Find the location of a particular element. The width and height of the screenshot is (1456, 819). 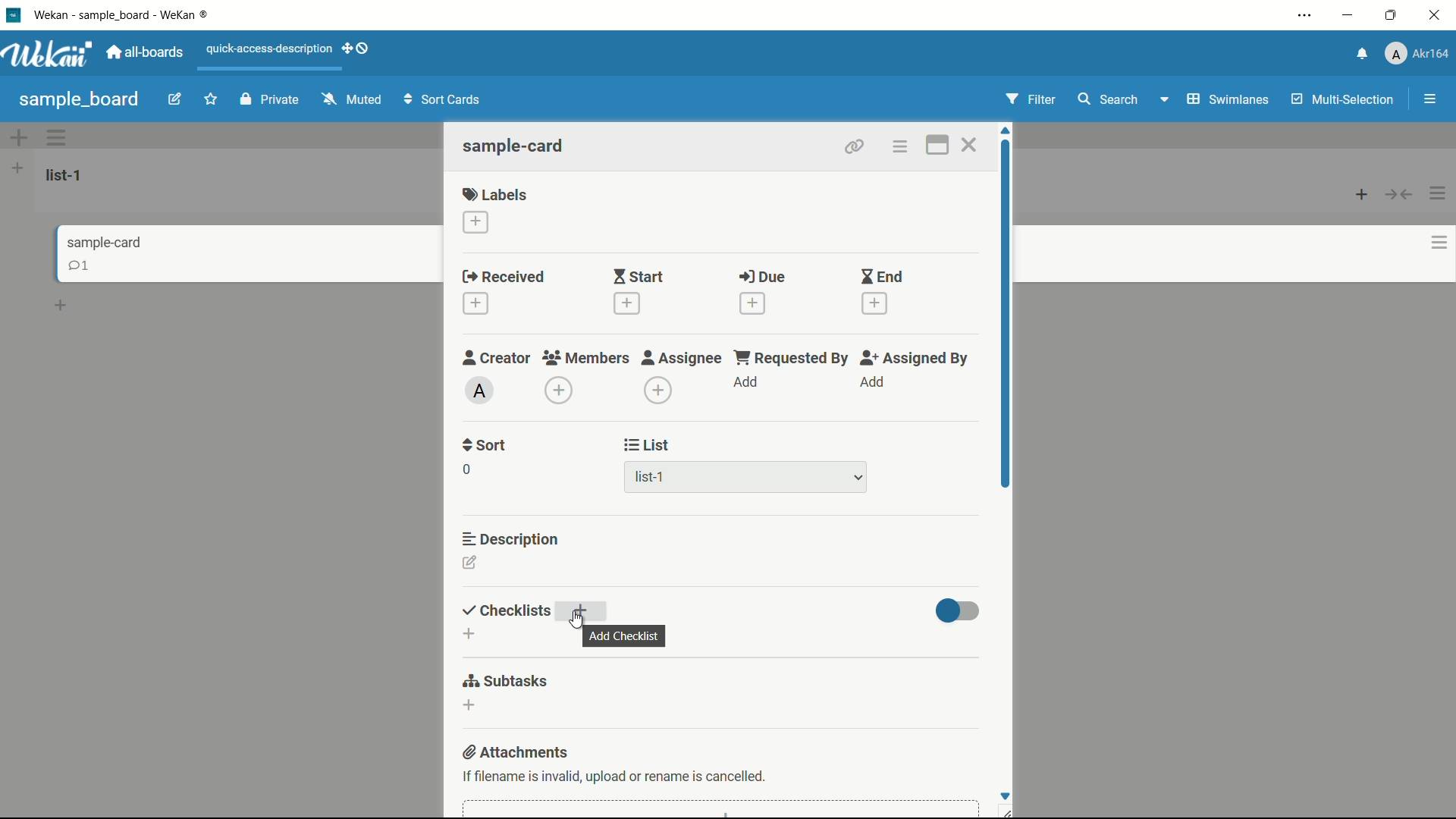

app logo is located at coordinates (51, 55).